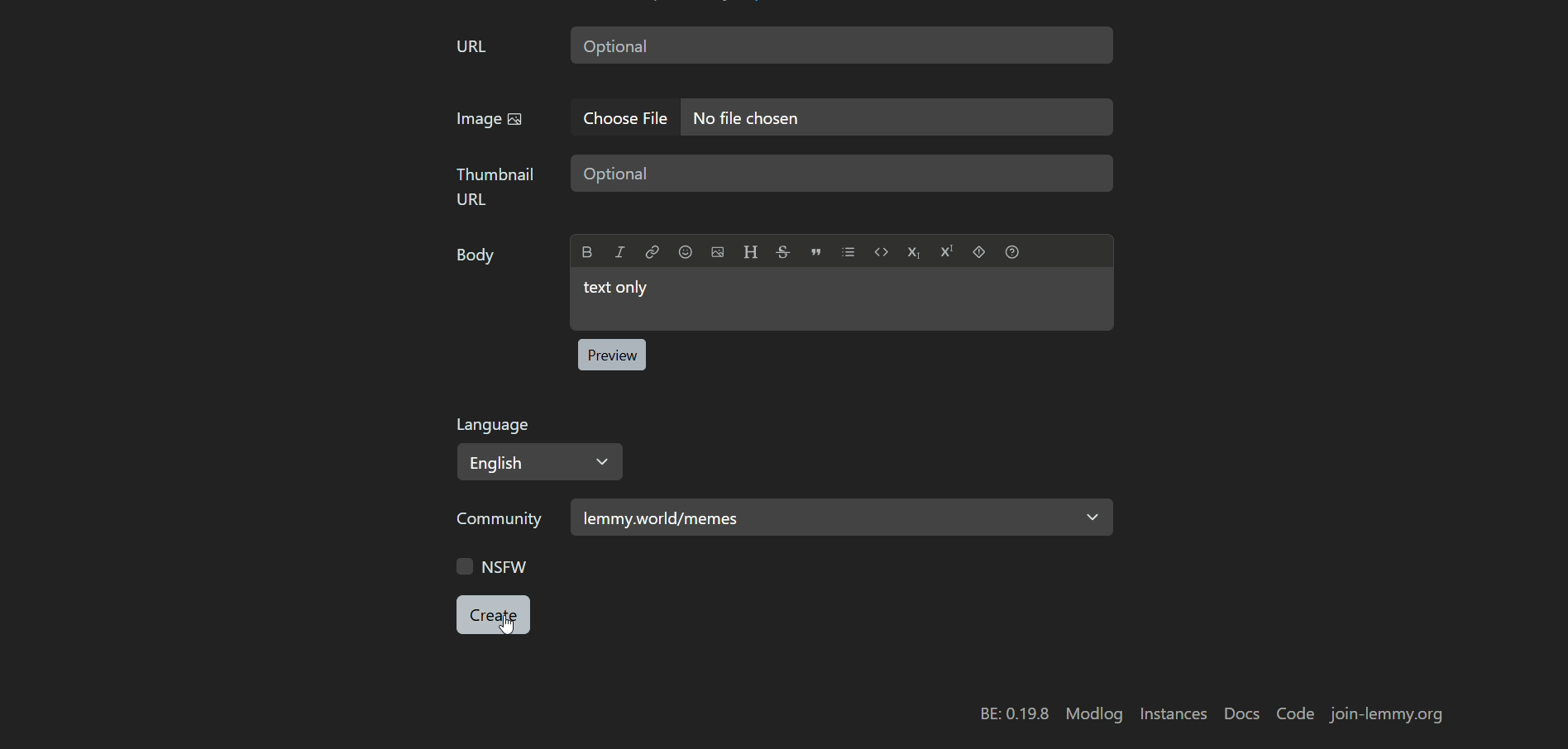 The image size is (1568, 749). I want to click on Spoiler, so click(979, 251).